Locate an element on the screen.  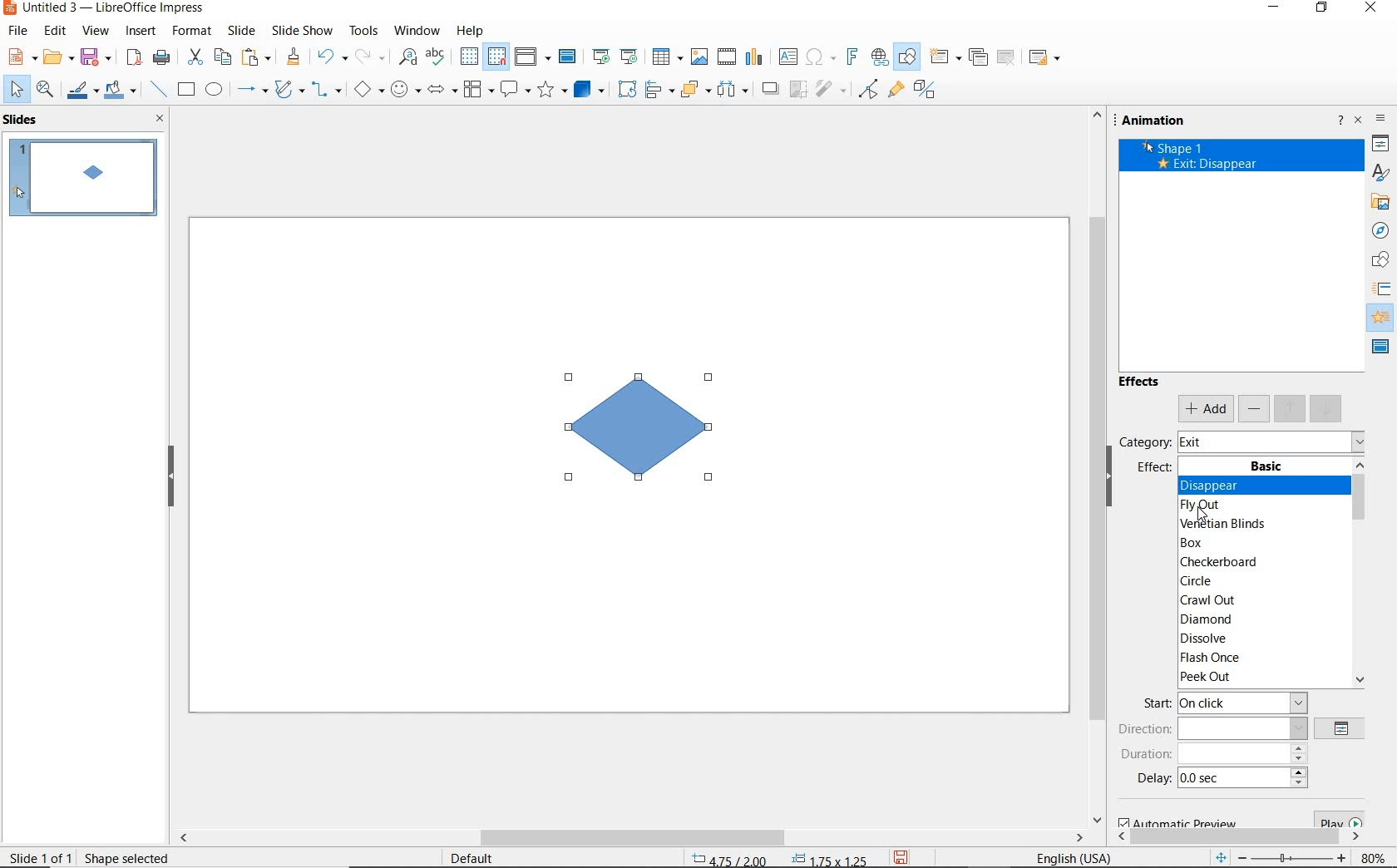
display views is located at coordinates (531, 57).